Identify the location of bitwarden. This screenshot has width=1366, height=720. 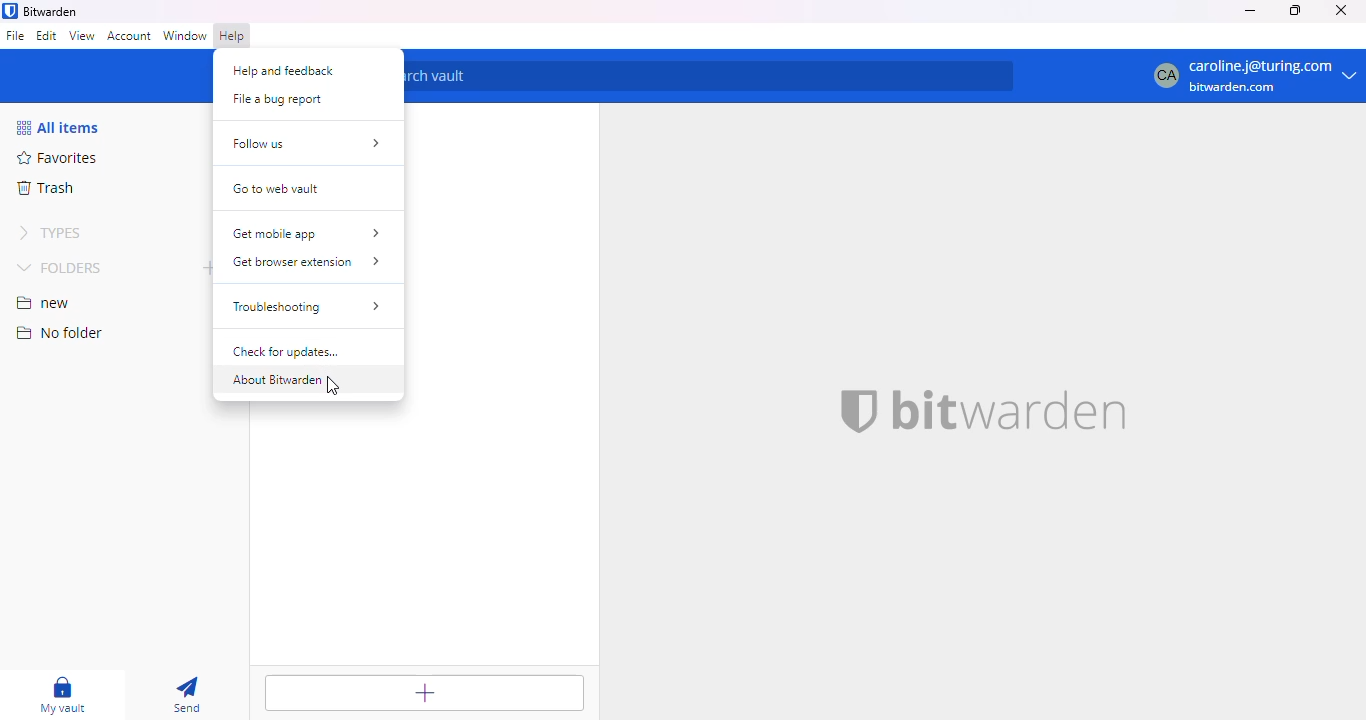
(1007, 412).